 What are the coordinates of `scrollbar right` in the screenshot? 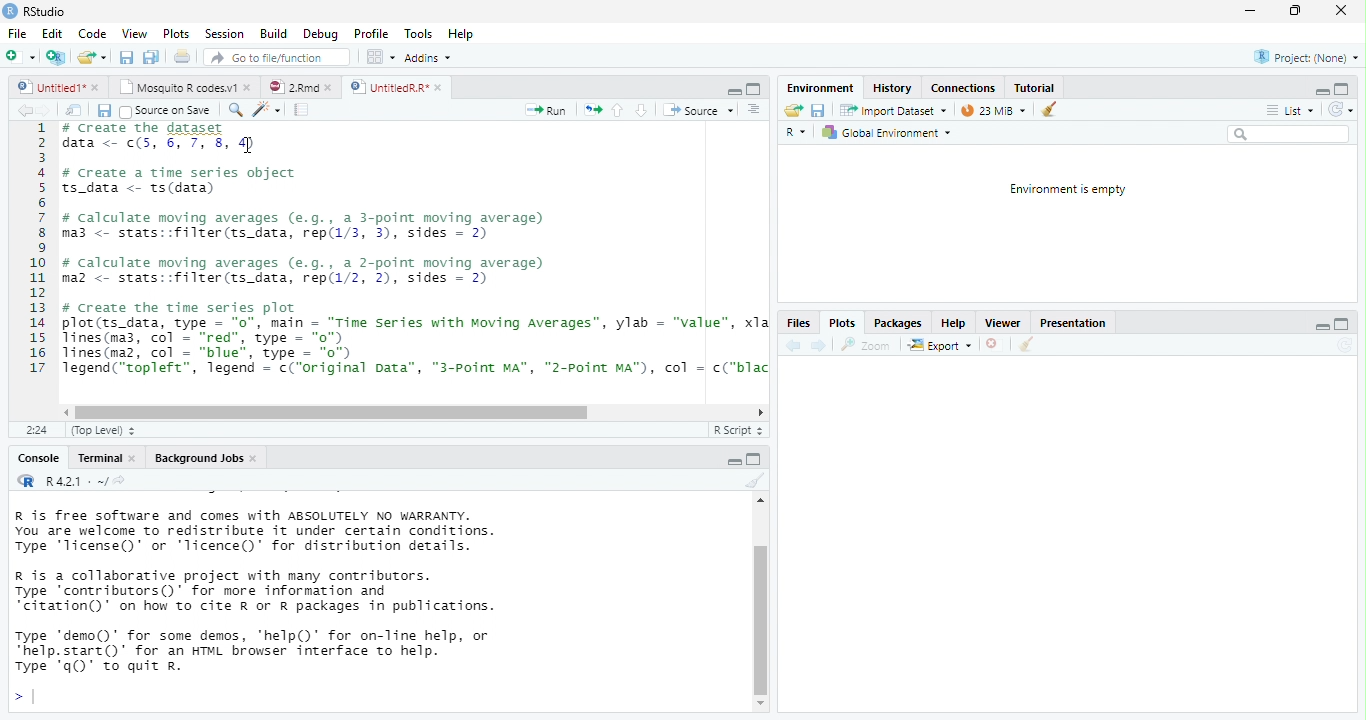 It's located at (758, 413).